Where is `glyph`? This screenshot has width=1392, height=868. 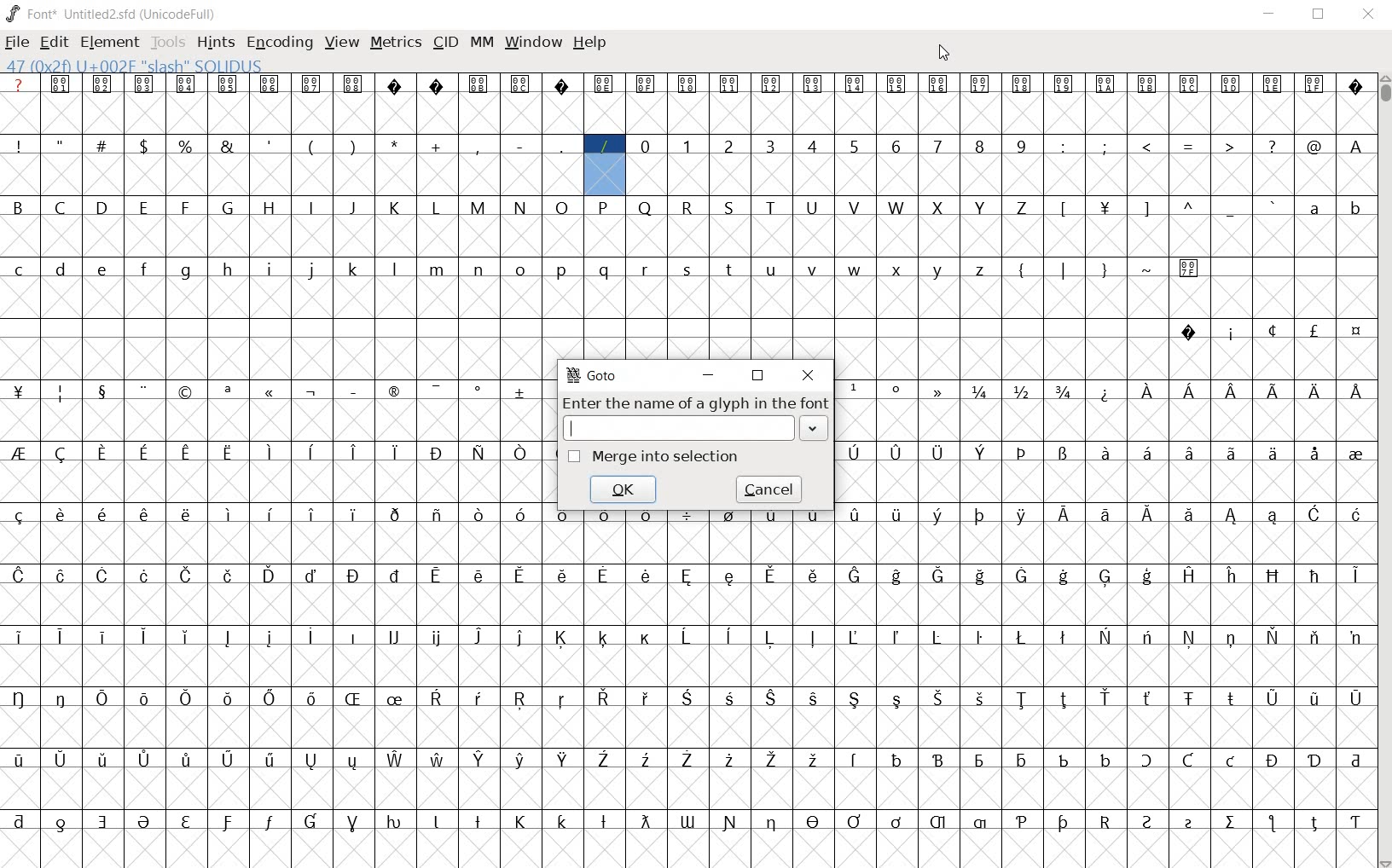 glyph is located at coordinates (1024, 453).